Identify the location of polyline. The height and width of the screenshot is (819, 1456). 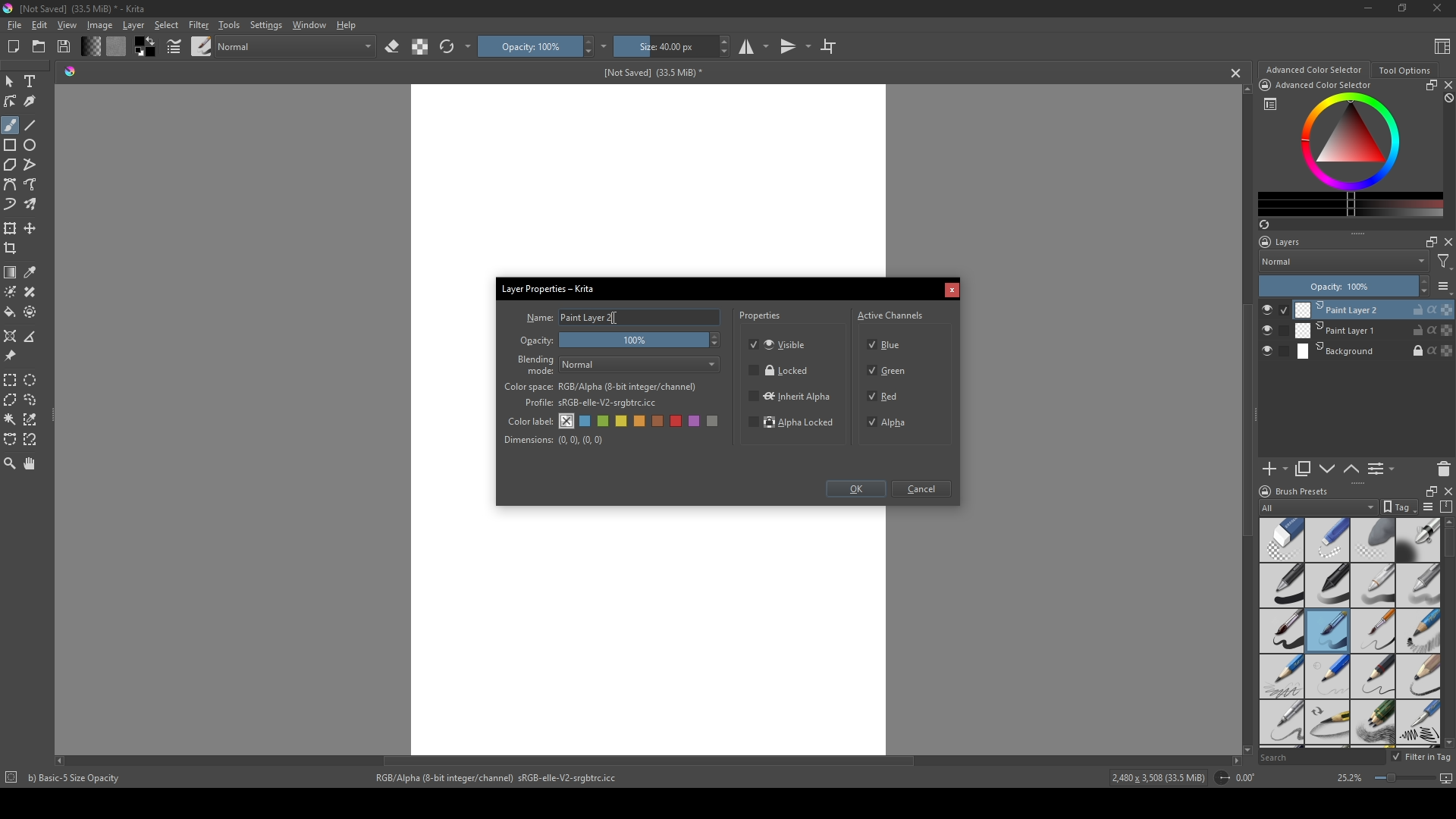
(32, 165).